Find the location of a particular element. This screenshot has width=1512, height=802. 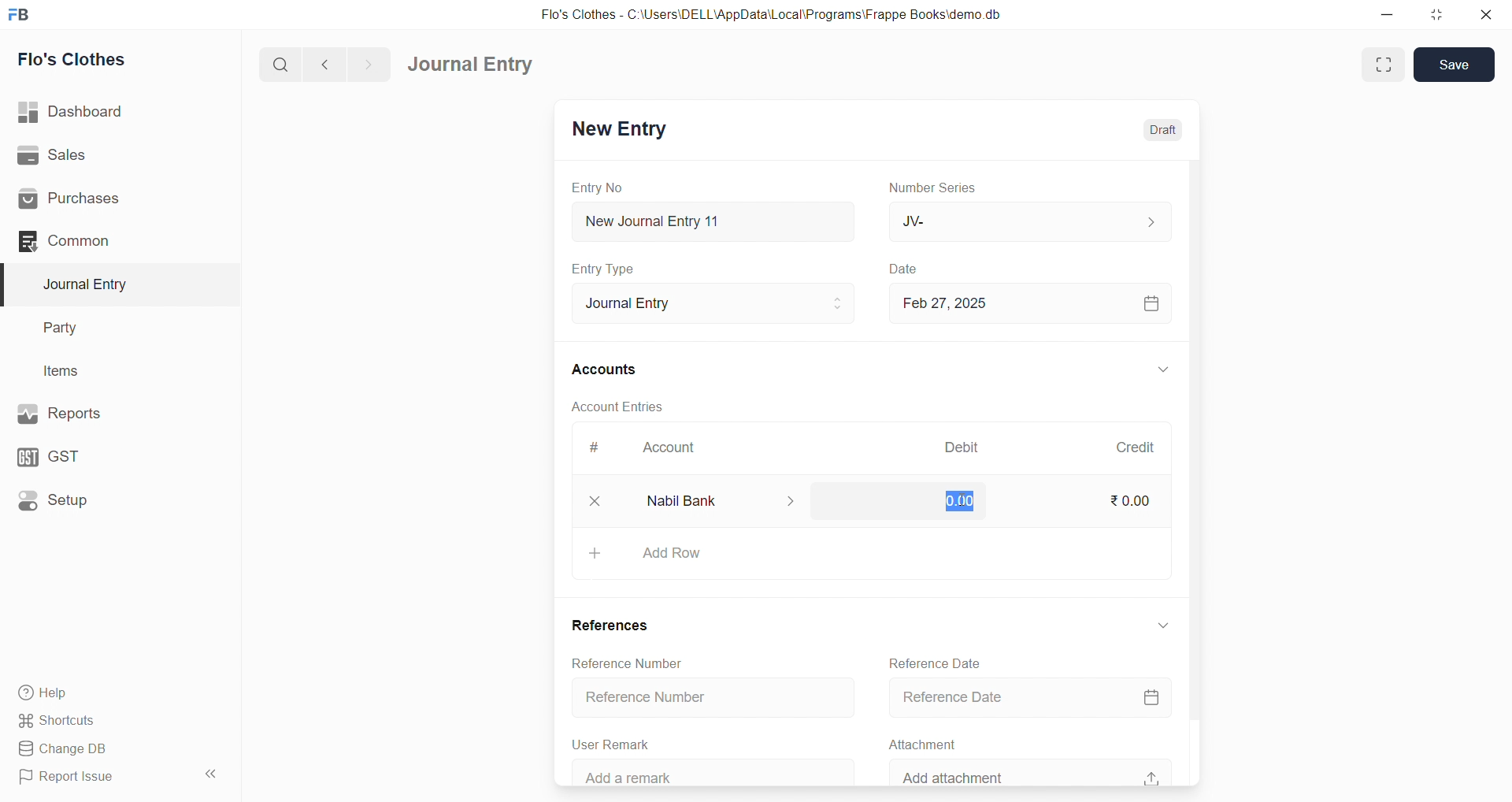

Reference Date is located at coordinates (935, 662).